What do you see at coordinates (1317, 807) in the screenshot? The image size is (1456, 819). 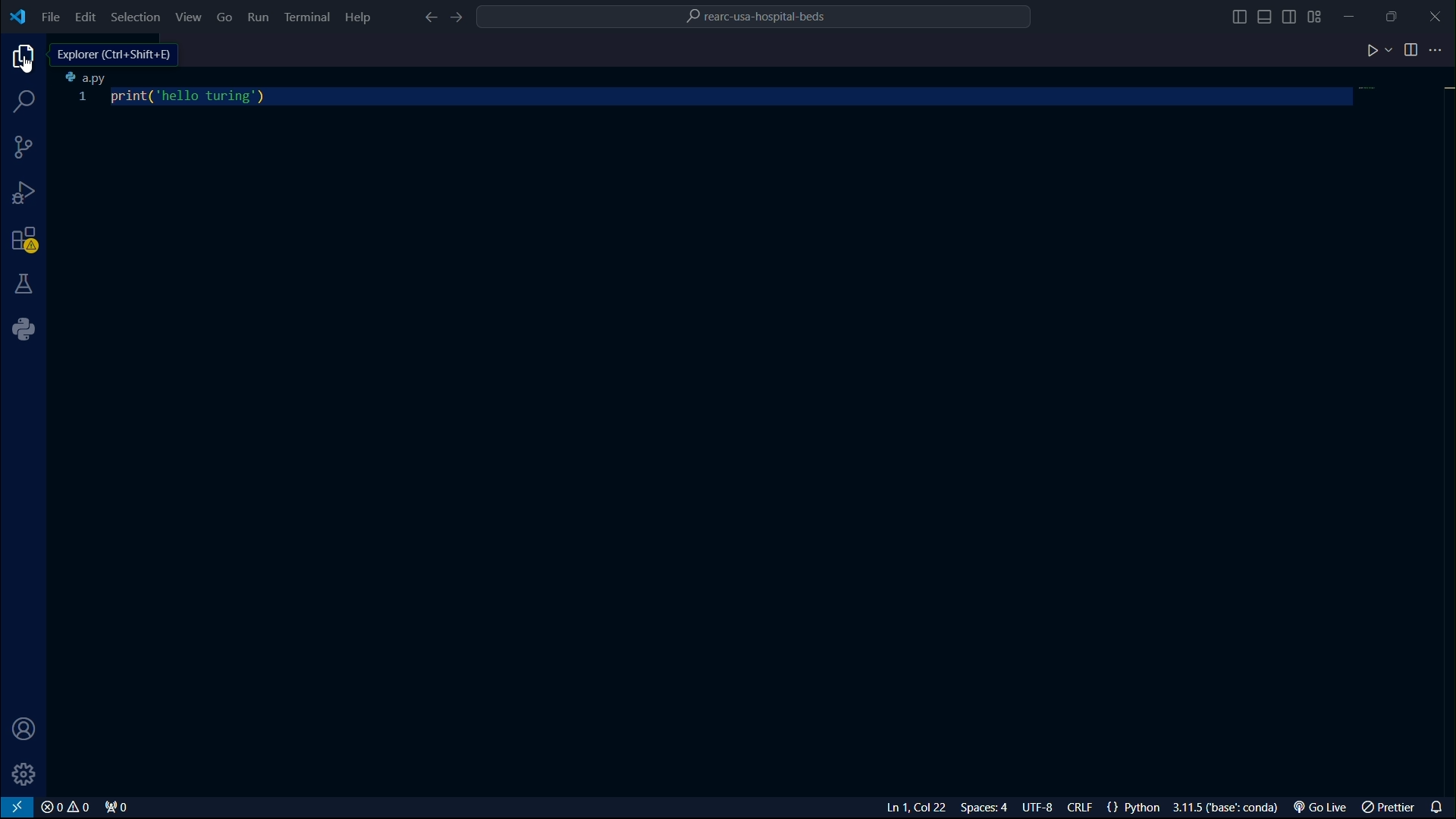 I see `go live extension` at bounding box center [1317, 807].